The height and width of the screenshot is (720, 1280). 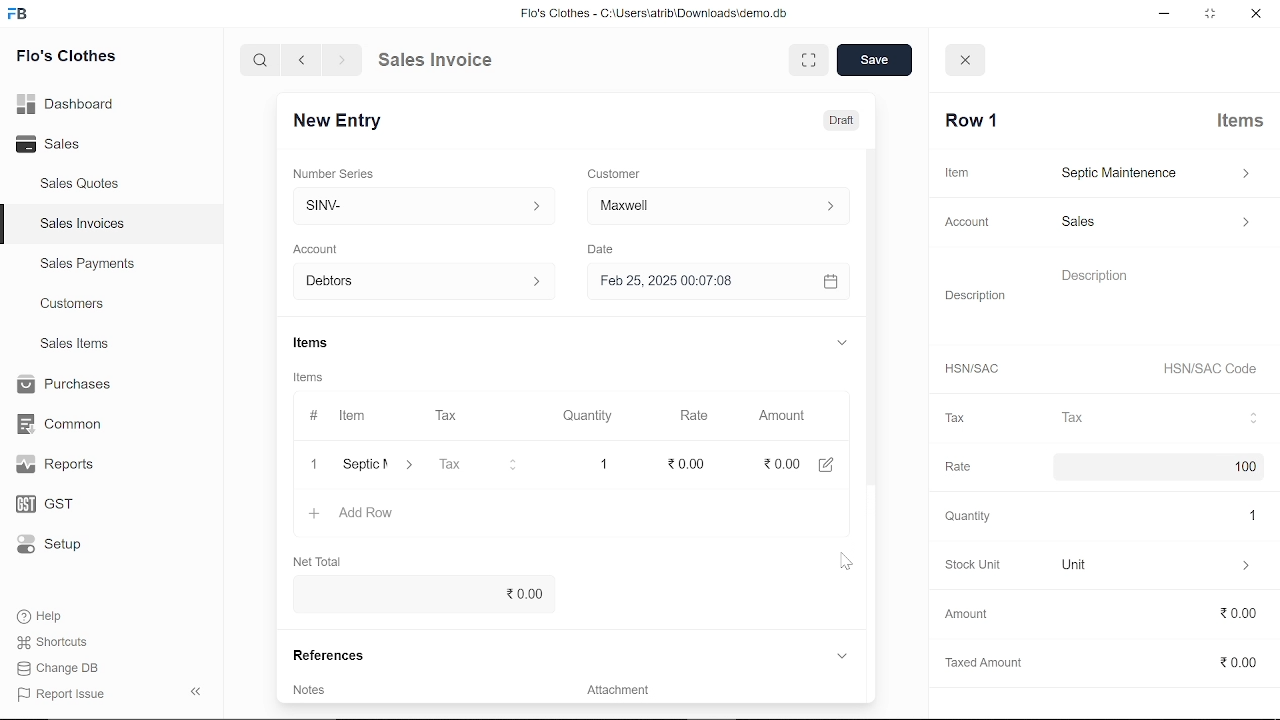 What do you see at coordinates (415, 202) in the screenshot?
I see `Insert number series` at bounding box center [415, 202].